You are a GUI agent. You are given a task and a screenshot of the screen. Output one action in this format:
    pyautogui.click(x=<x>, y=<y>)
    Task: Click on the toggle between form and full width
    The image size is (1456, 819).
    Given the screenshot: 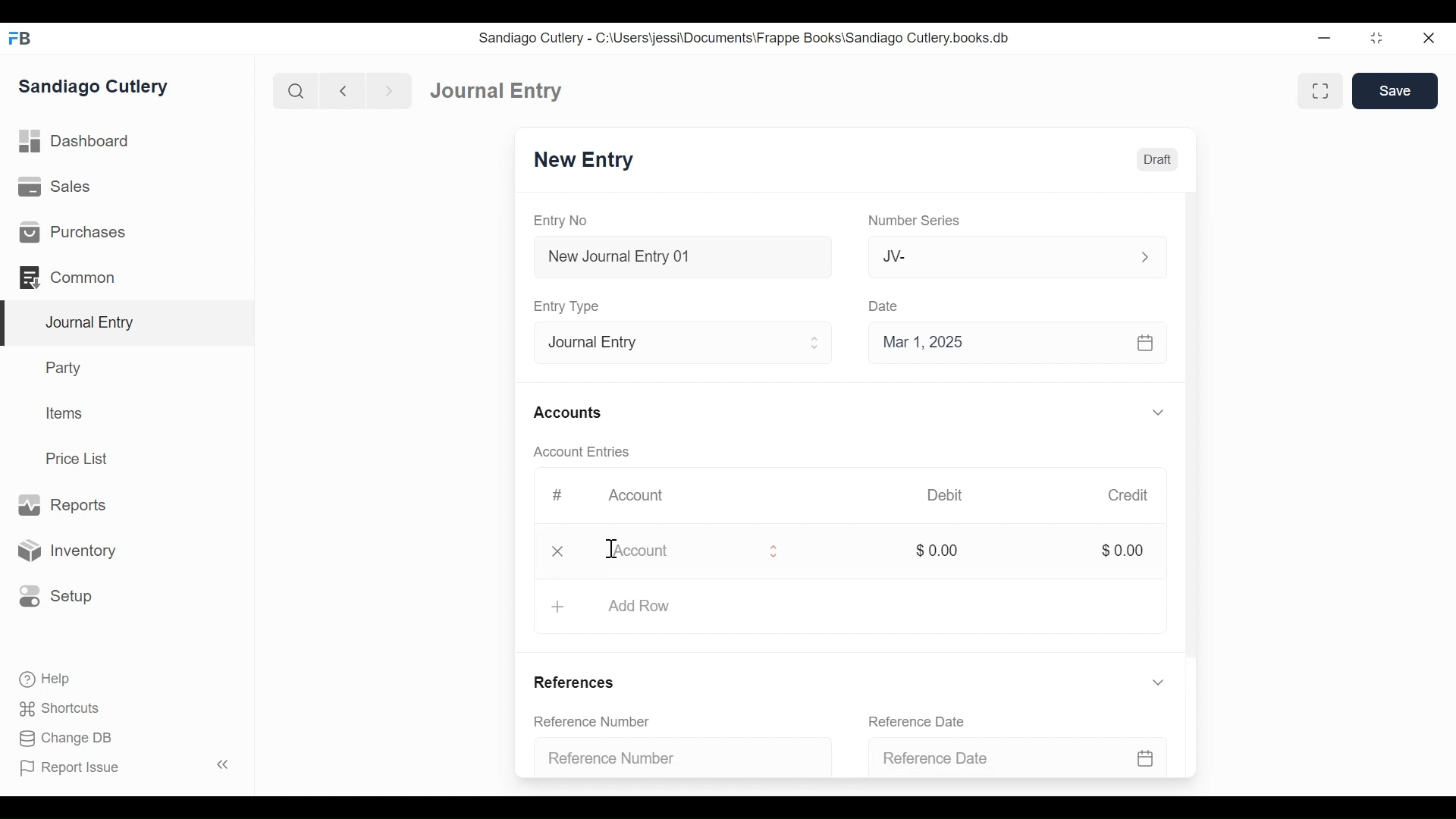 What is the action you would take?
    pyautogui.click(x=1323, y=92)
    